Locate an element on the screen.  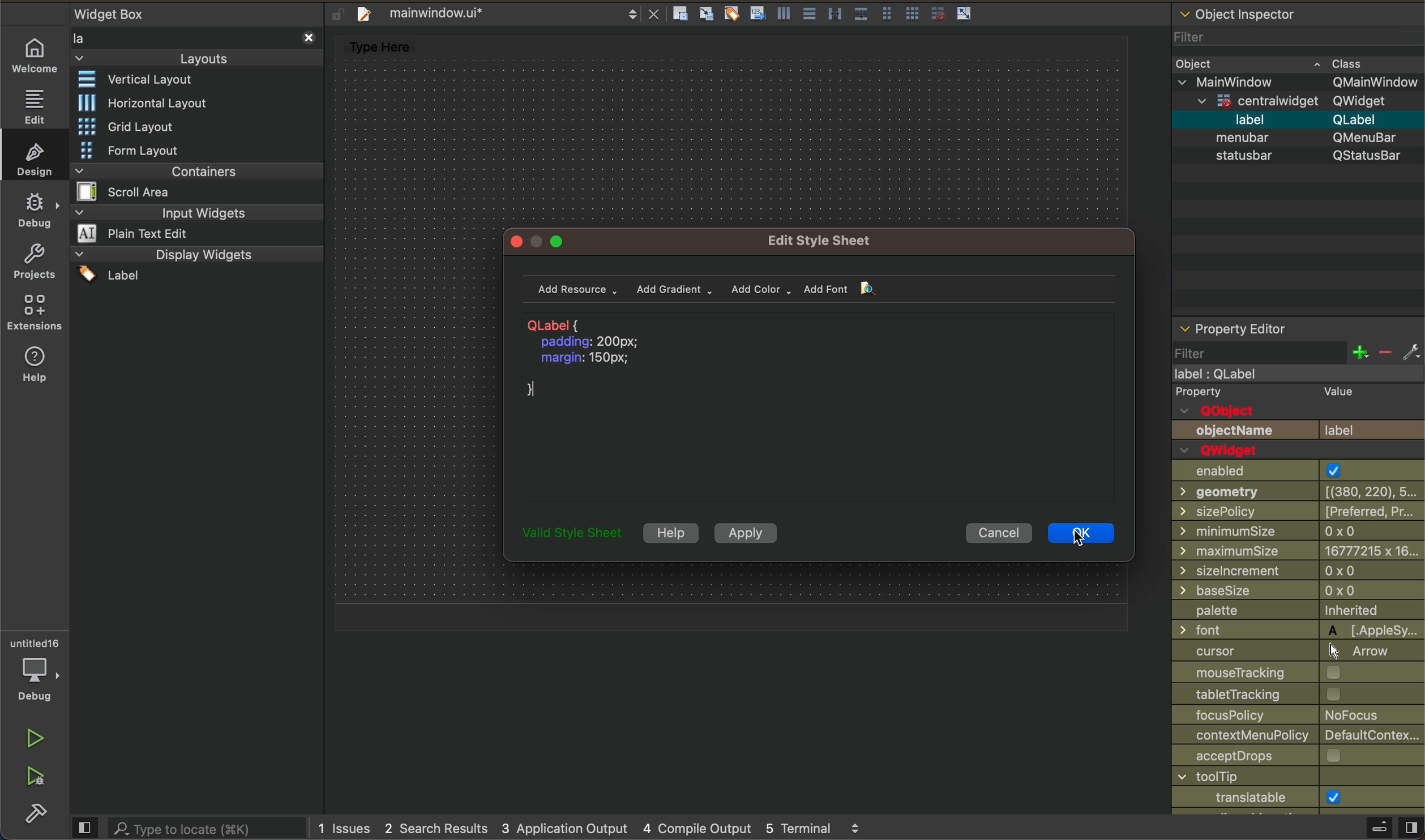
3application output is located at coordinates (570, 828).